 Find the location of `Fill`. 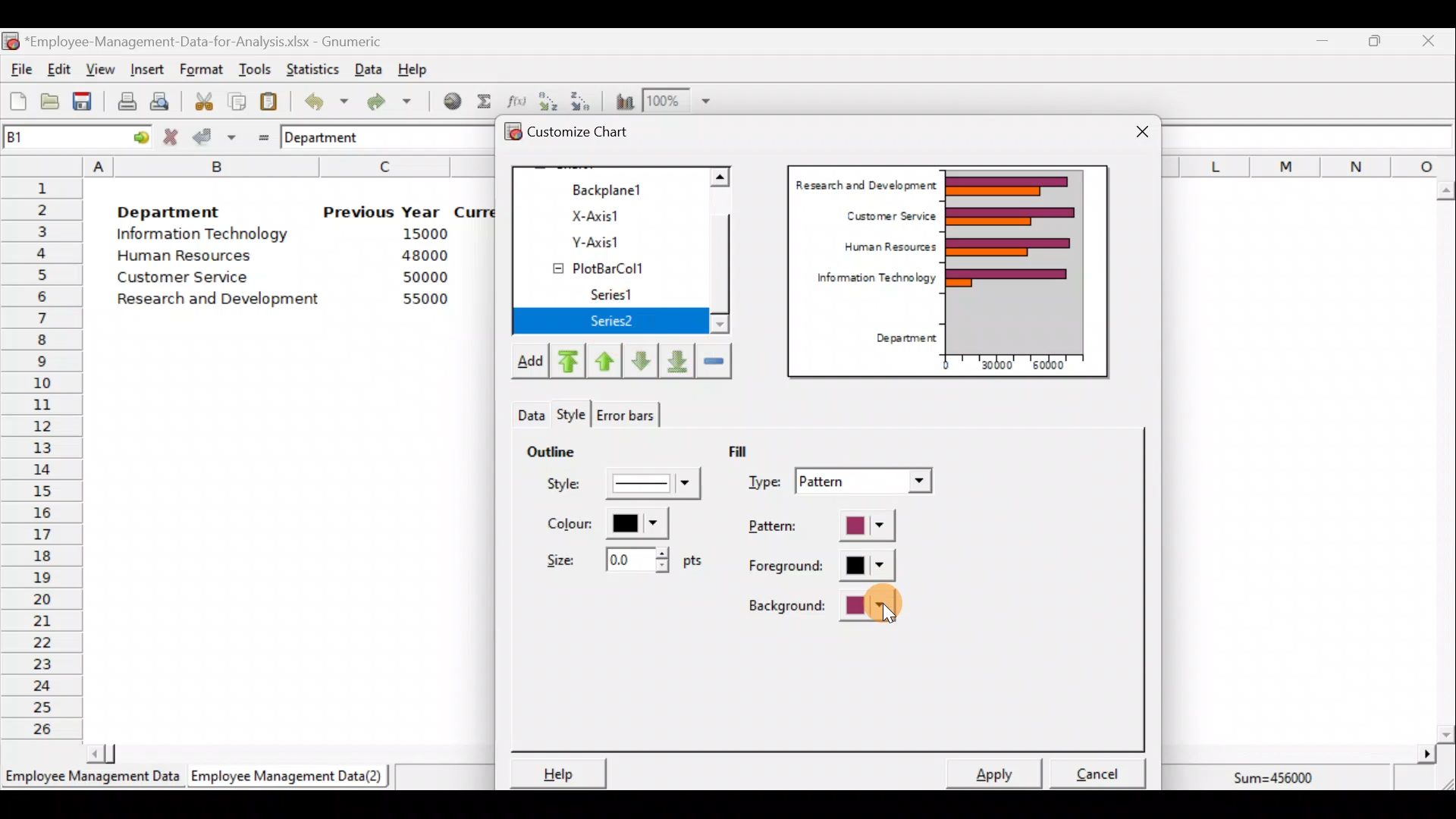

Fill is located at coordinates (749, 450).